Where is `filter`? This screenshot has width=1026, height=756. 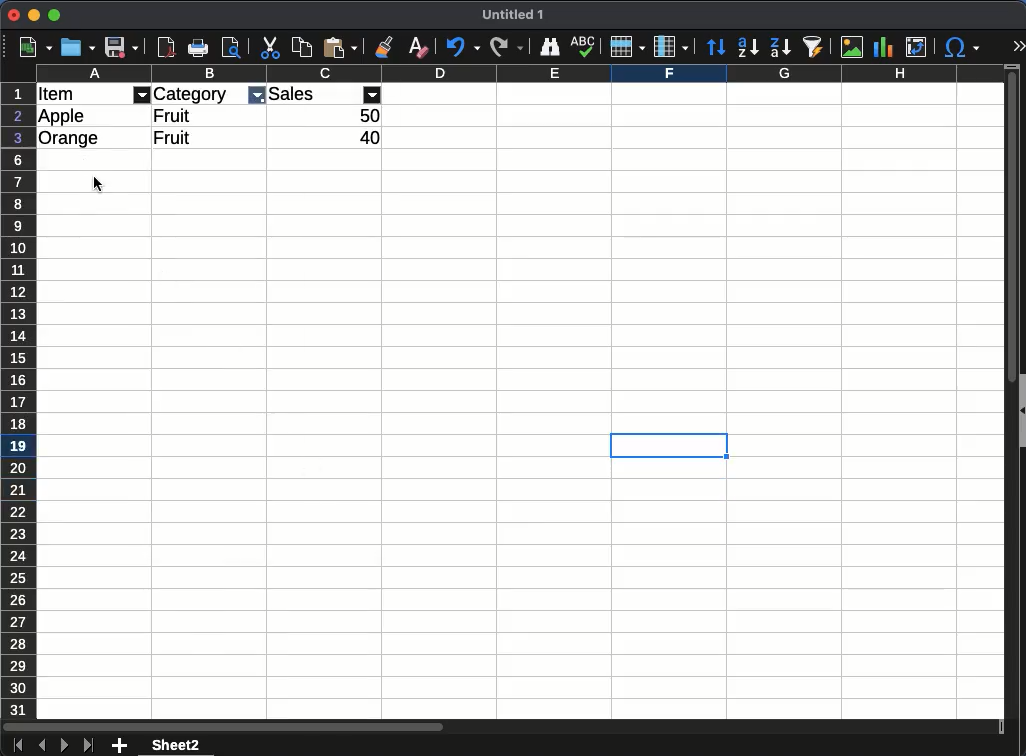 filter is located at coordinates (142, 95).